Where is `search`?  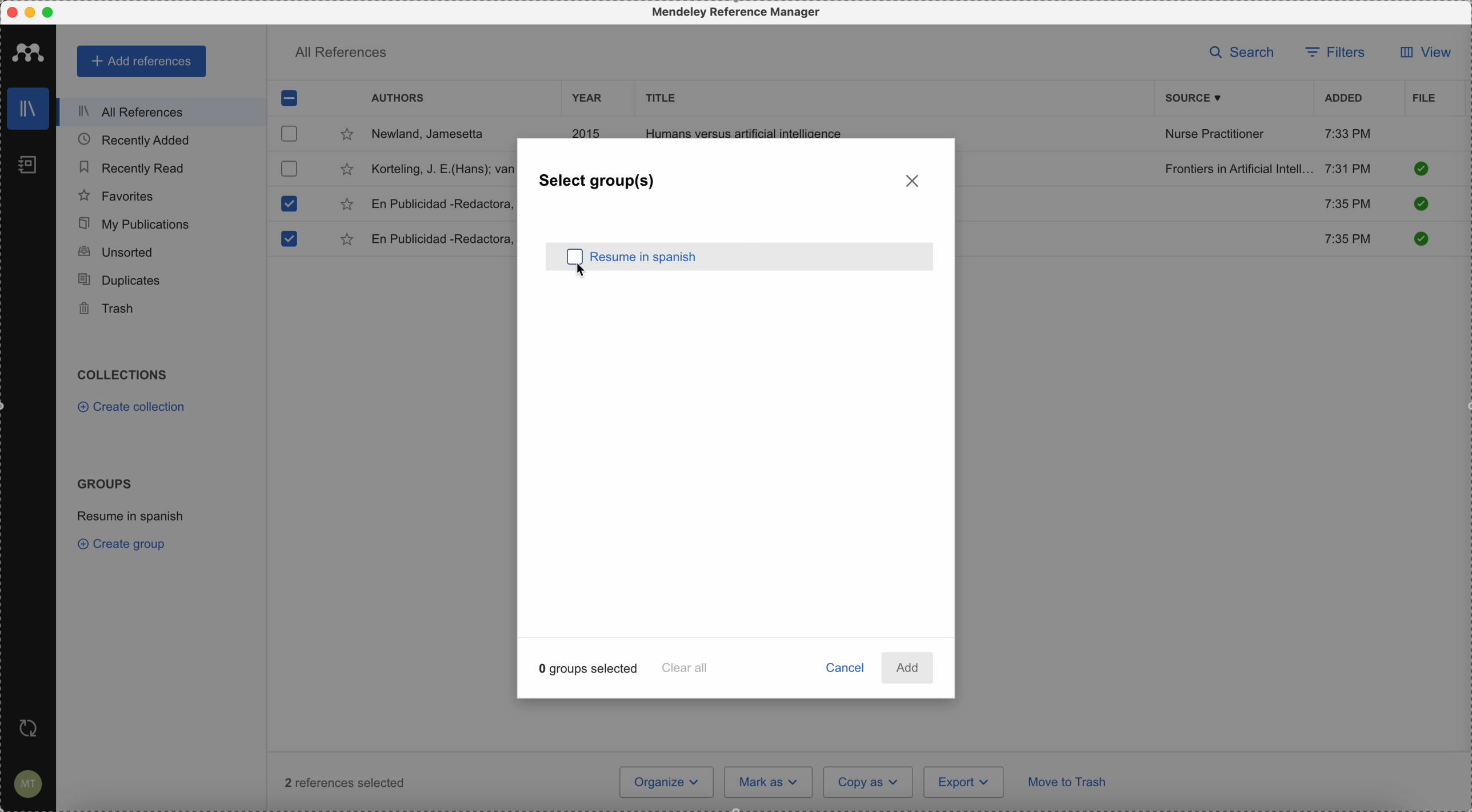
search is located at coordinates (1246, 53).